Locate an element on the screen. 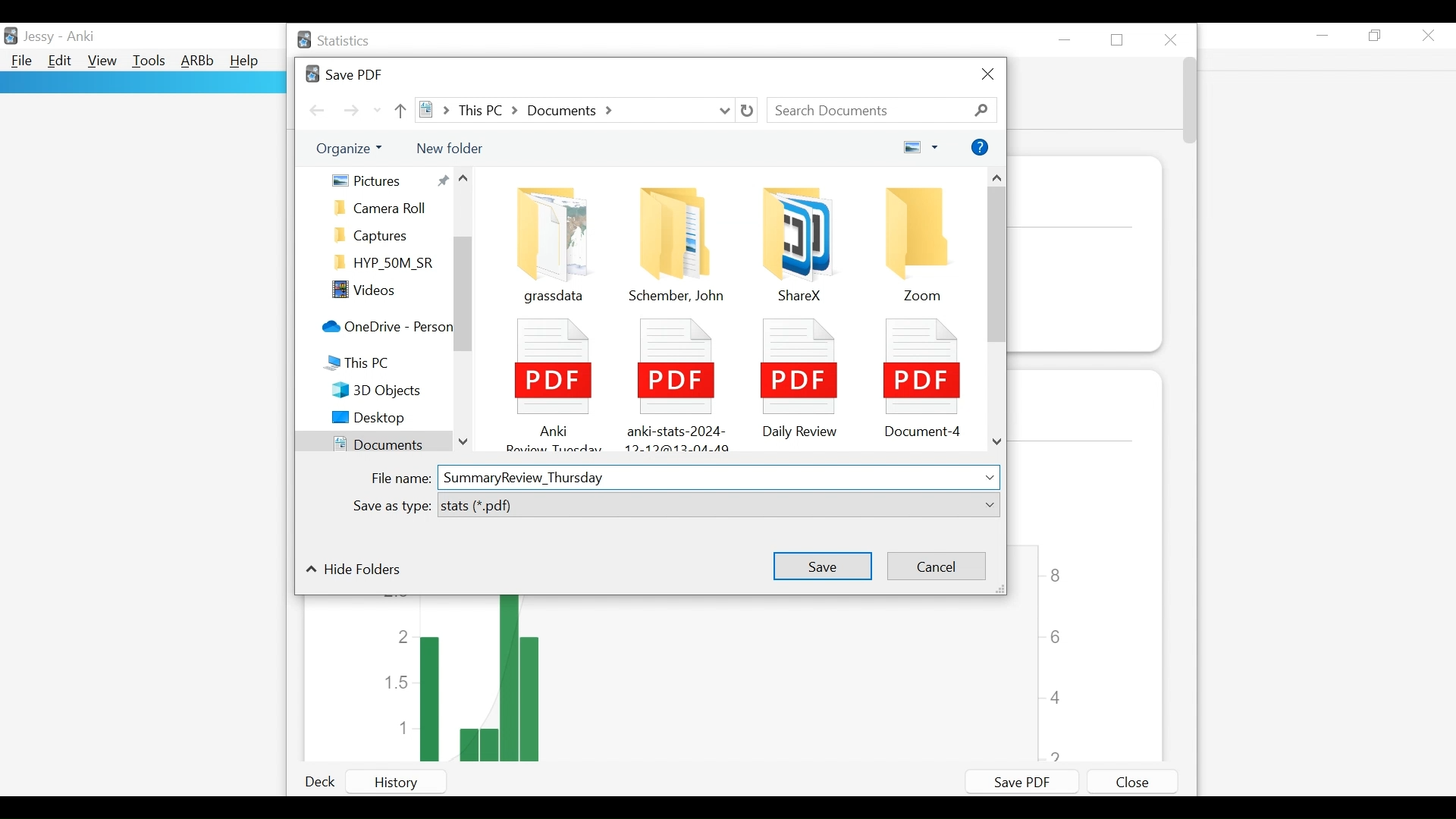 The image size is (1456, 819). Restore is located at coordinates (1377, 36).